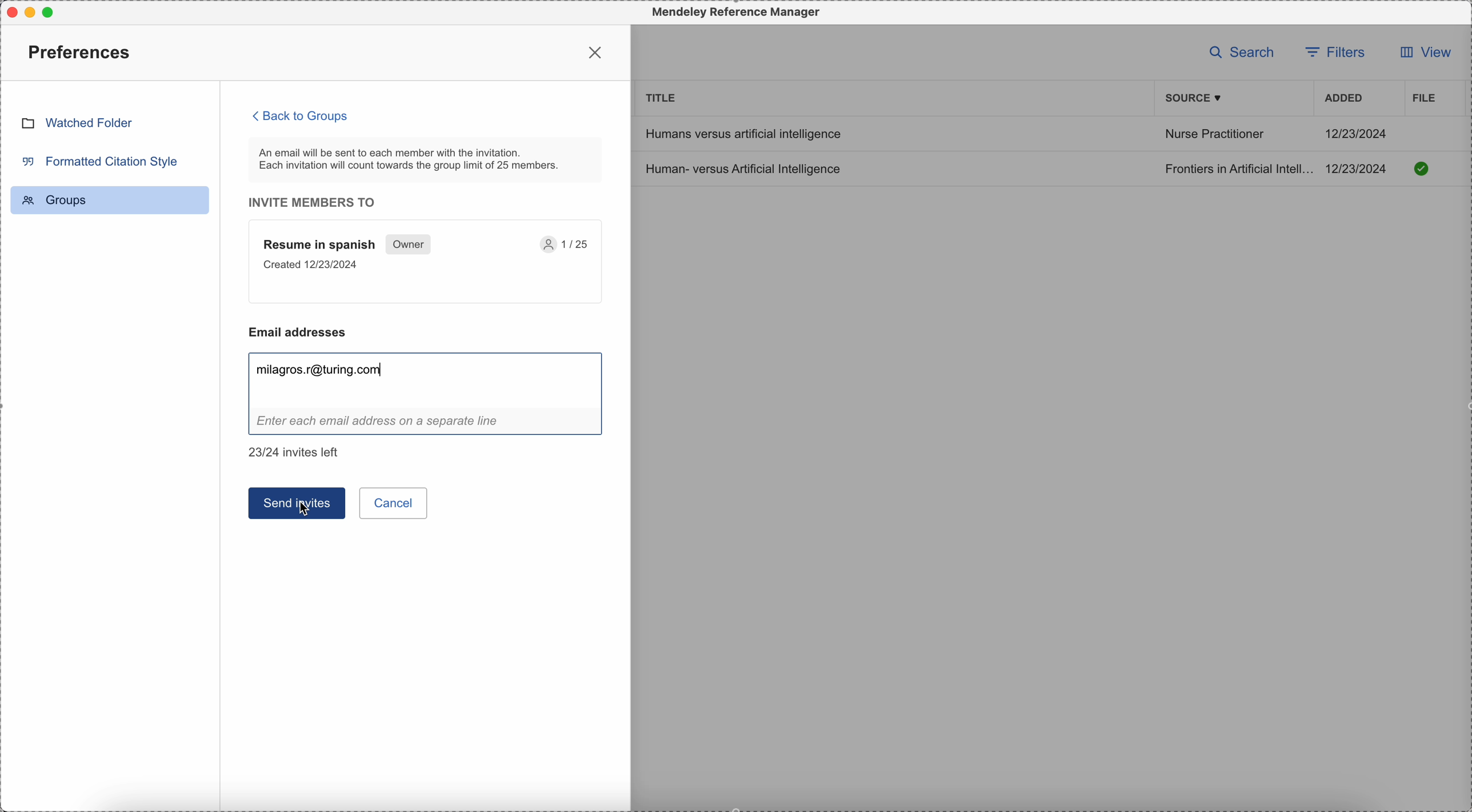 The width and height of the screenshot is (1472, 812). I want to click on source, so click(1195, 98).